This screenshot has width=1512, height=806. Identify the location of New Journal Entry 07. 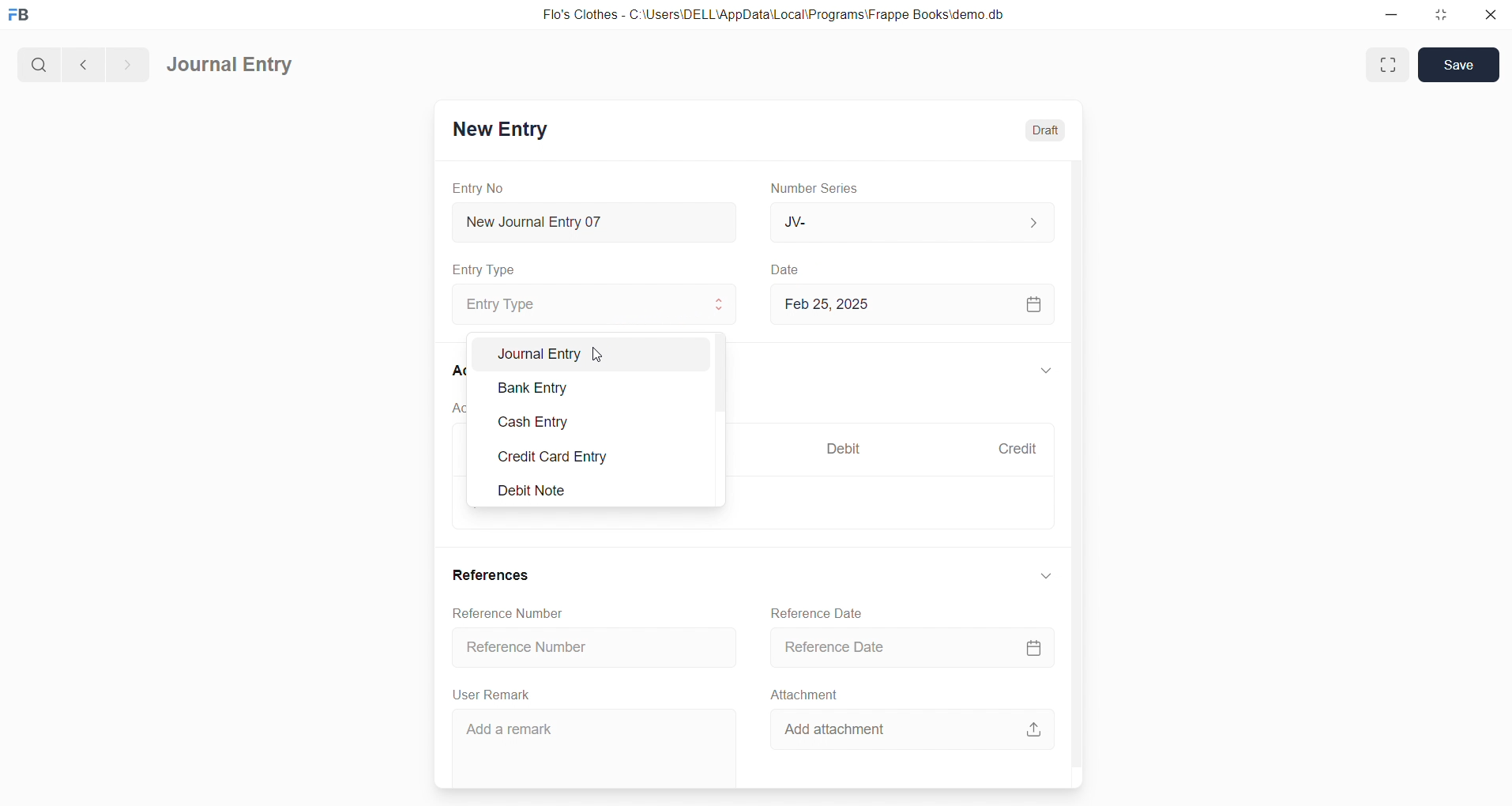
(596, 218).